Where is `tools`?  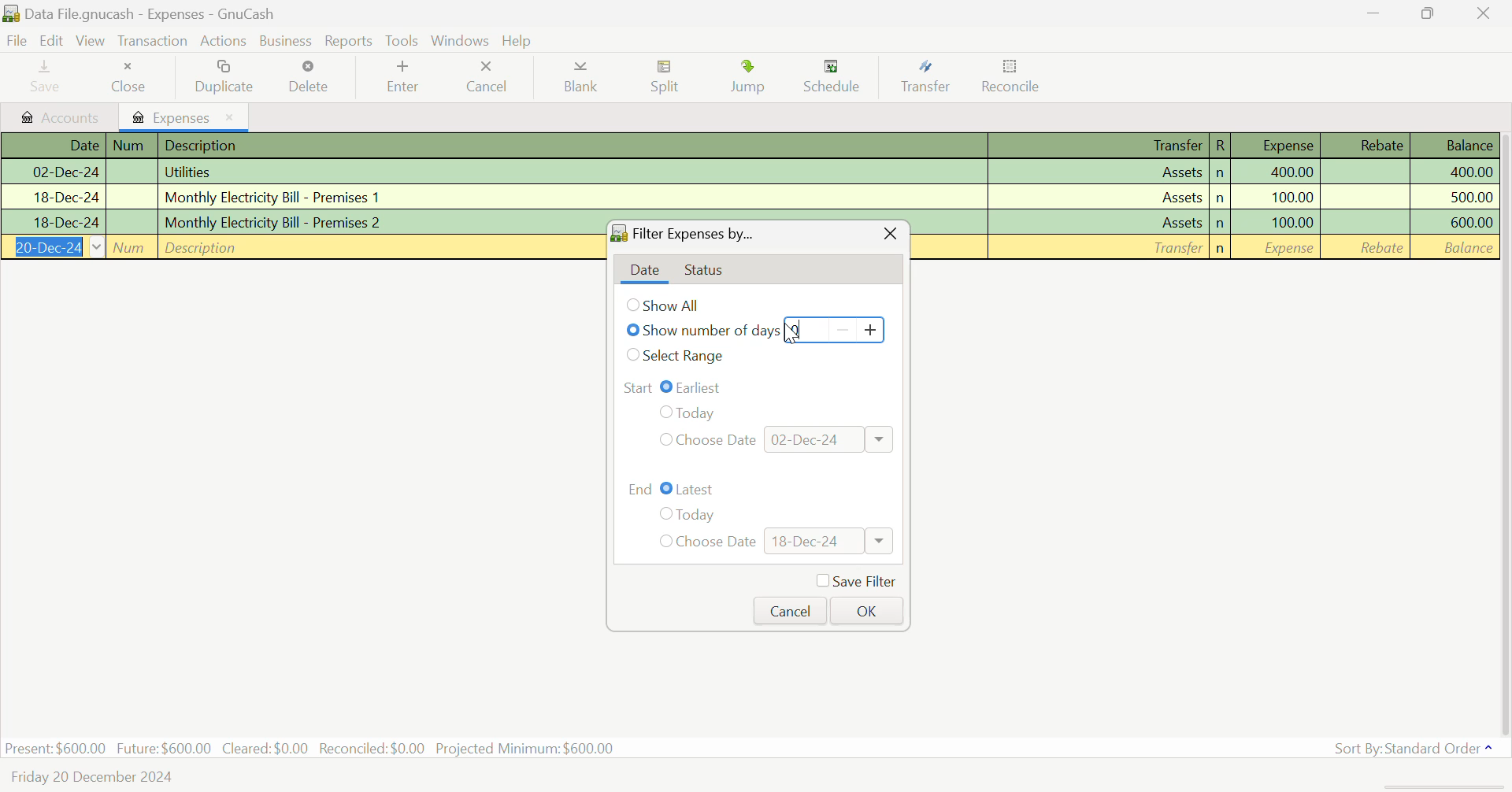
tools is located at coordinates (402, 41).